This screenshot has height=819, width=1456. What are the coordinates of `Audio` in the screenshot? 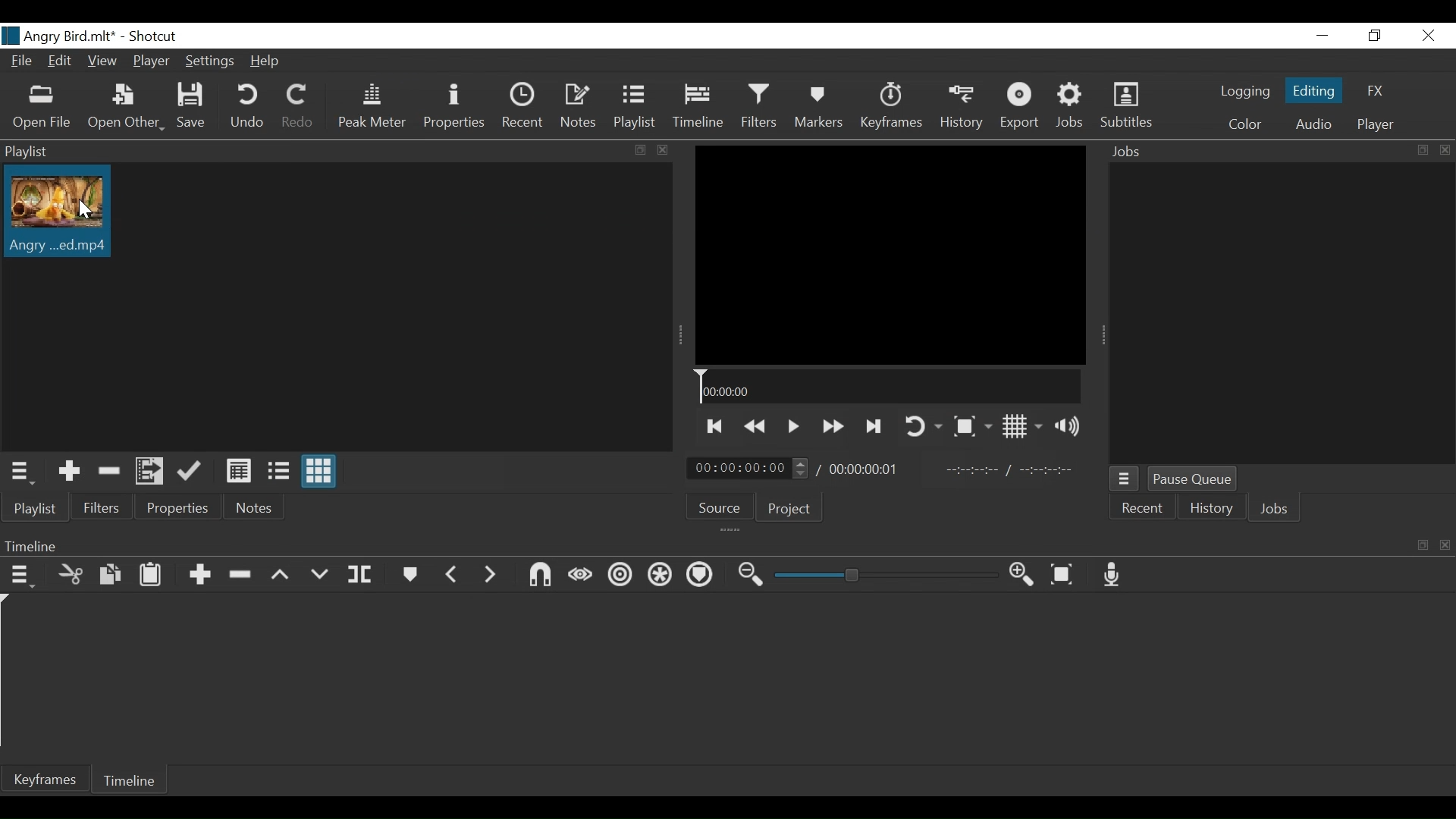 It's located at (1312, 124).